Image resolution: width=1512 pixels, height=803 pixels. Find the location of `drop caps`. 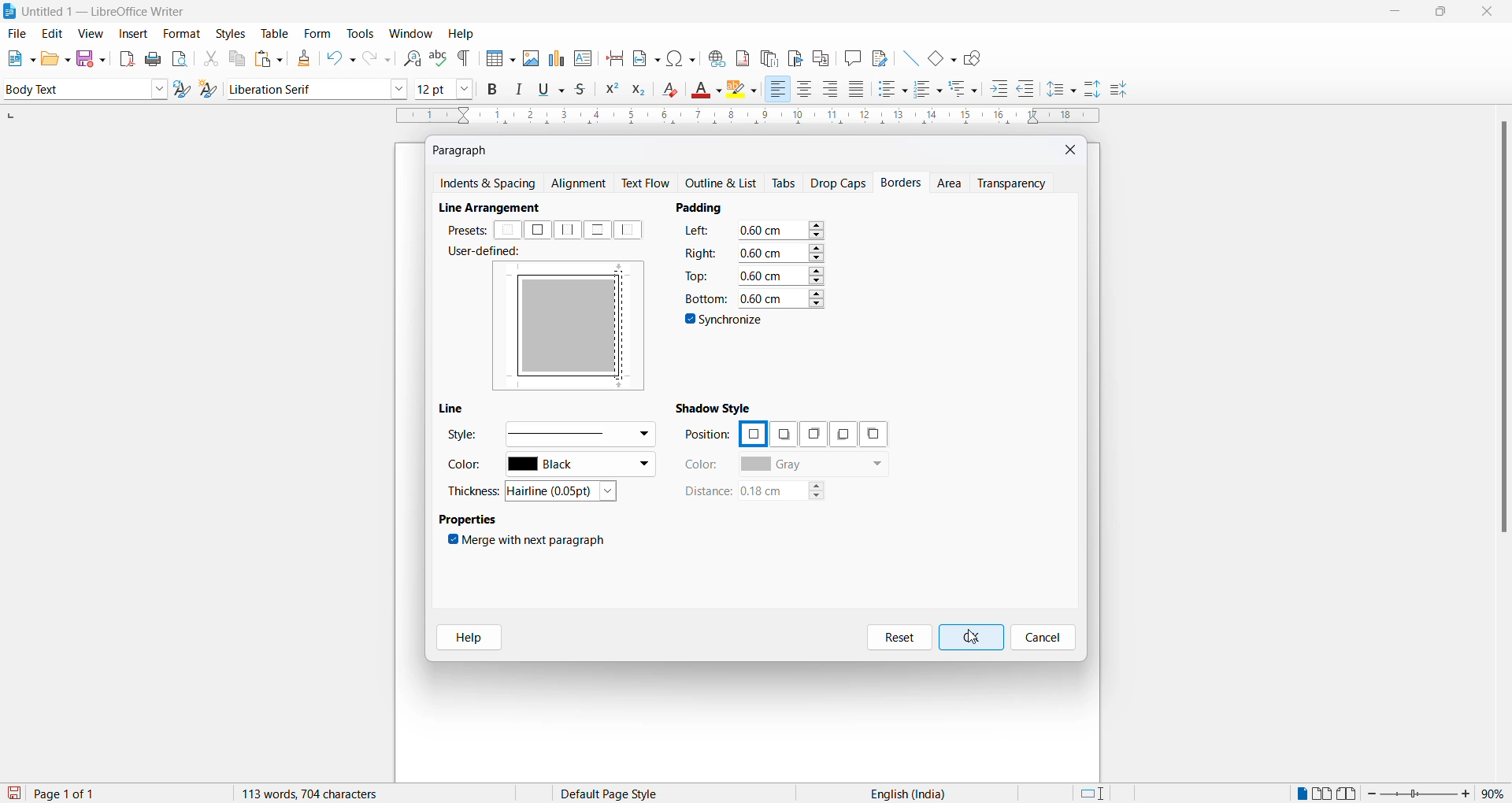

drop caps is located at coordinates (839, 182).